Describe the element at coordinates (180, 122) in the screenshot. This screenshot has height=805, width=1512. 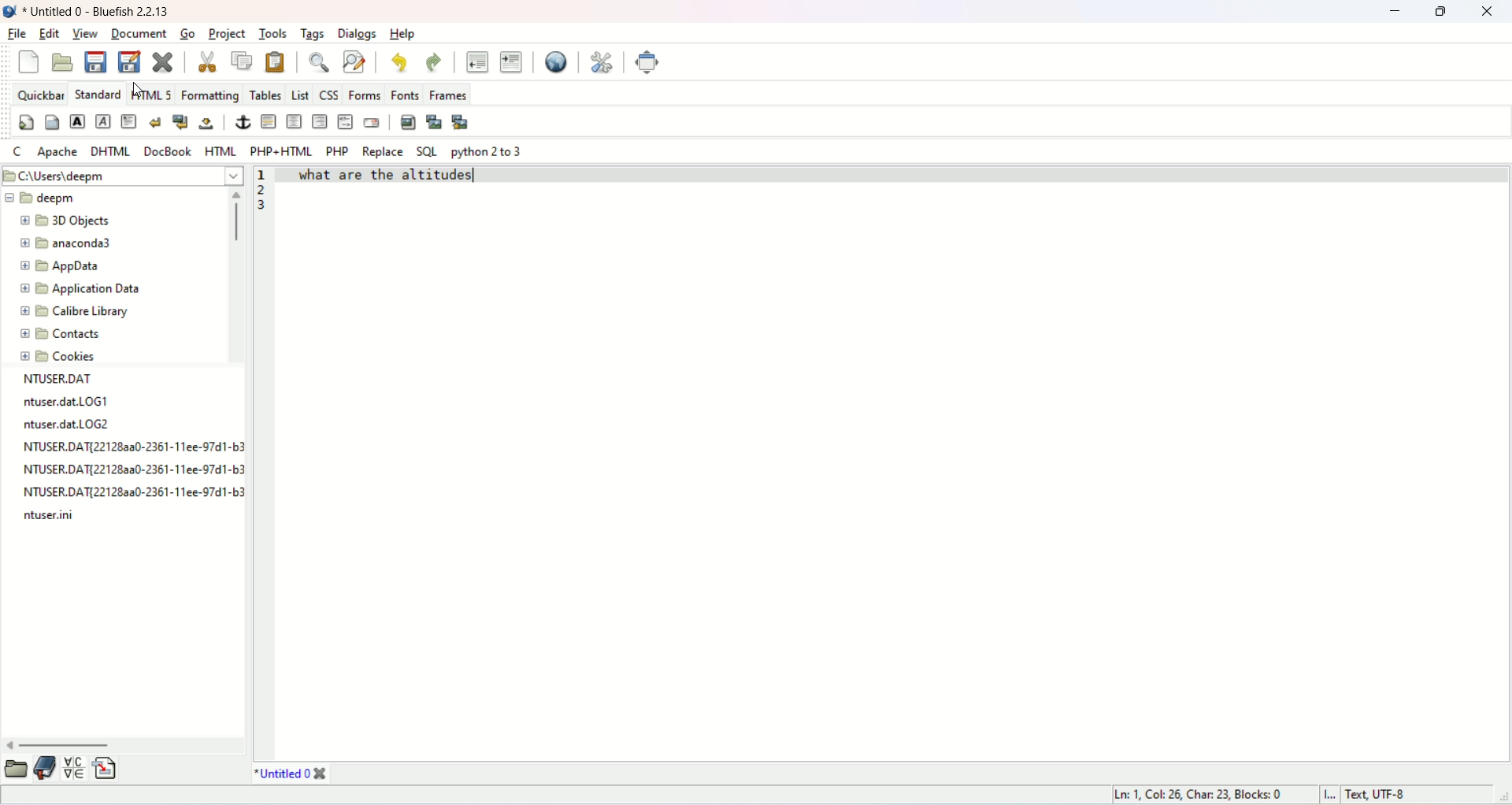
I see `break and clear` at that location.